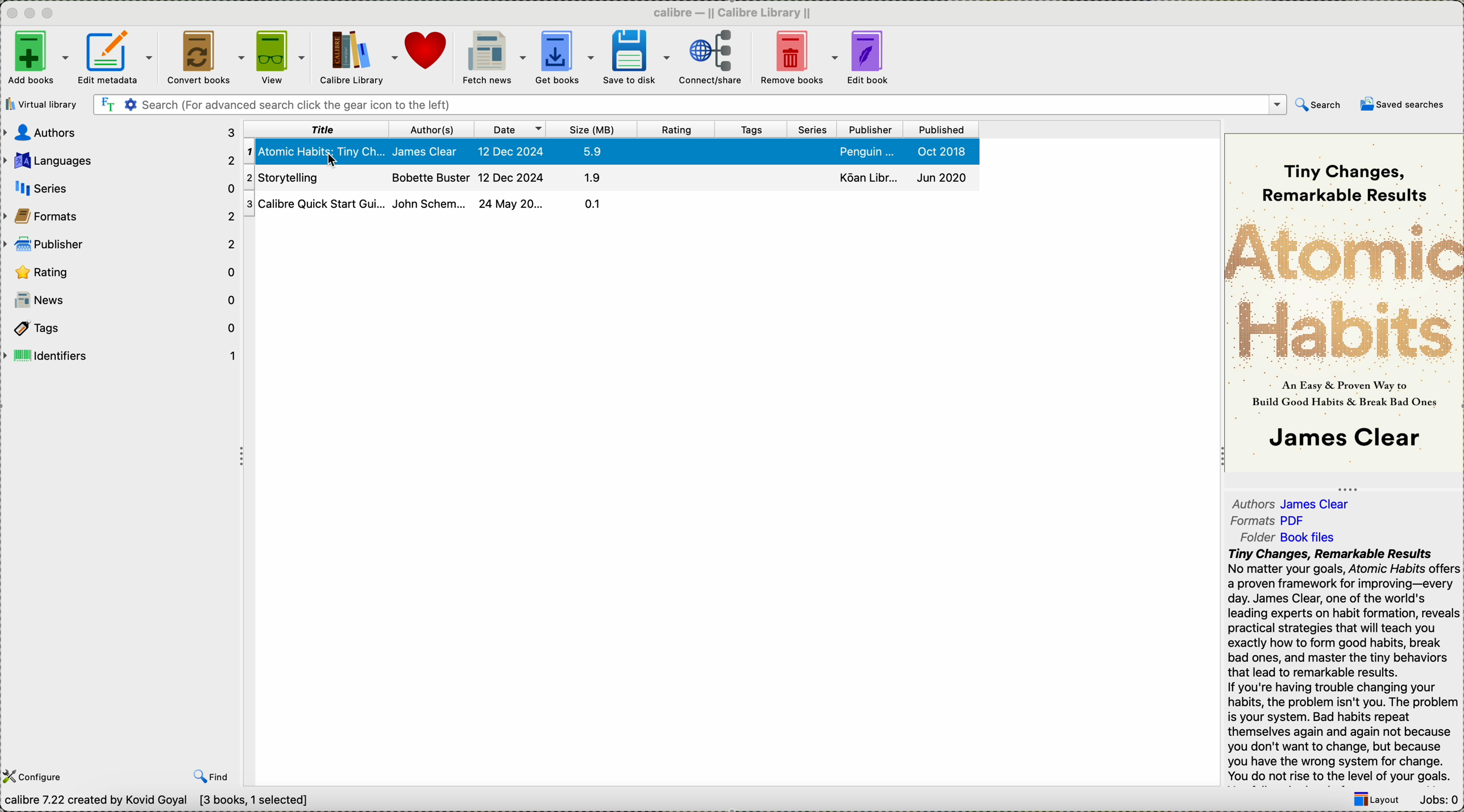 The height and width of the screenshot is (812, 1464). I want to click on book cover preview, so click(1344, 302).